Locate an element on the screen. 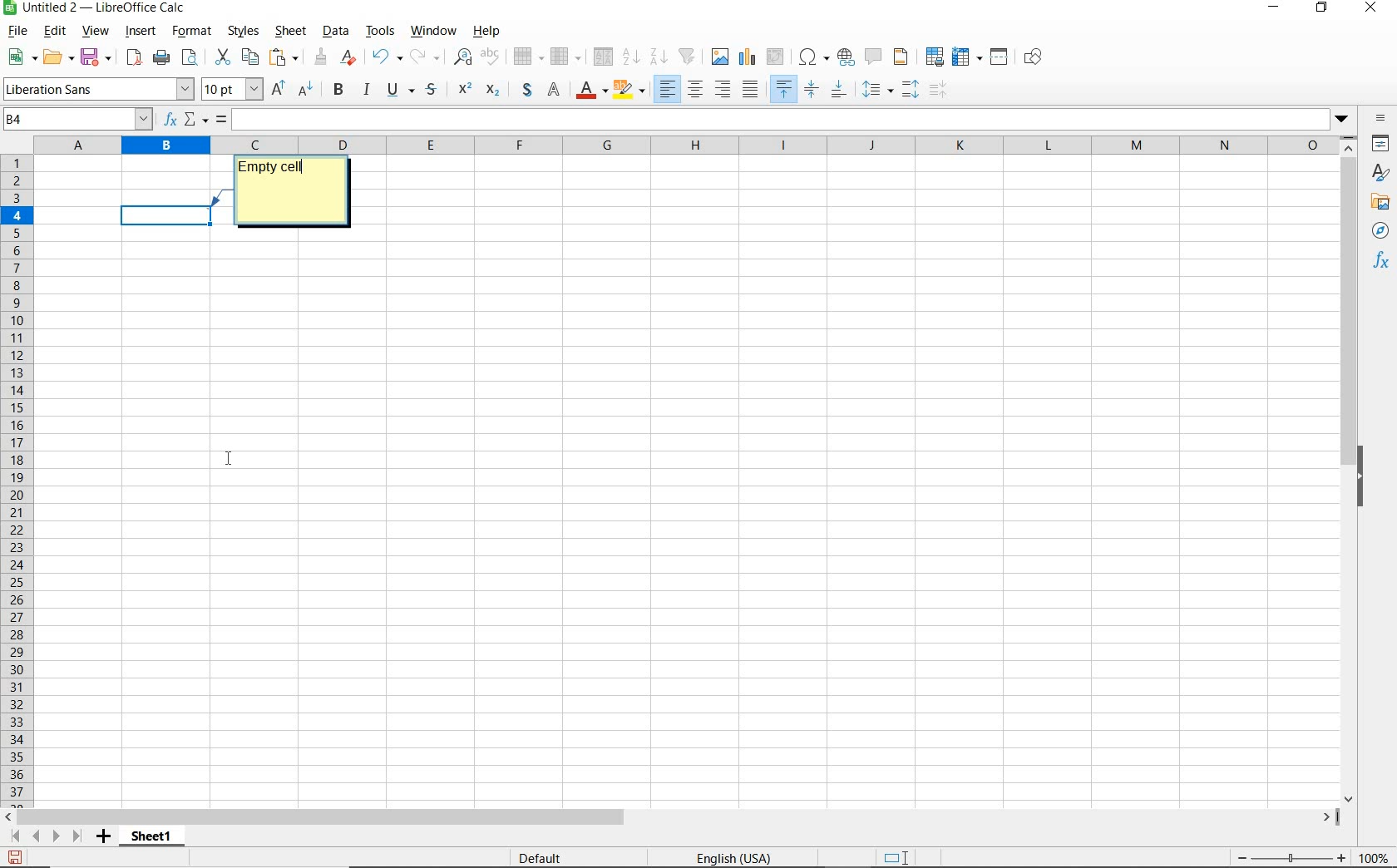  window is located at coordinates (432, 31).